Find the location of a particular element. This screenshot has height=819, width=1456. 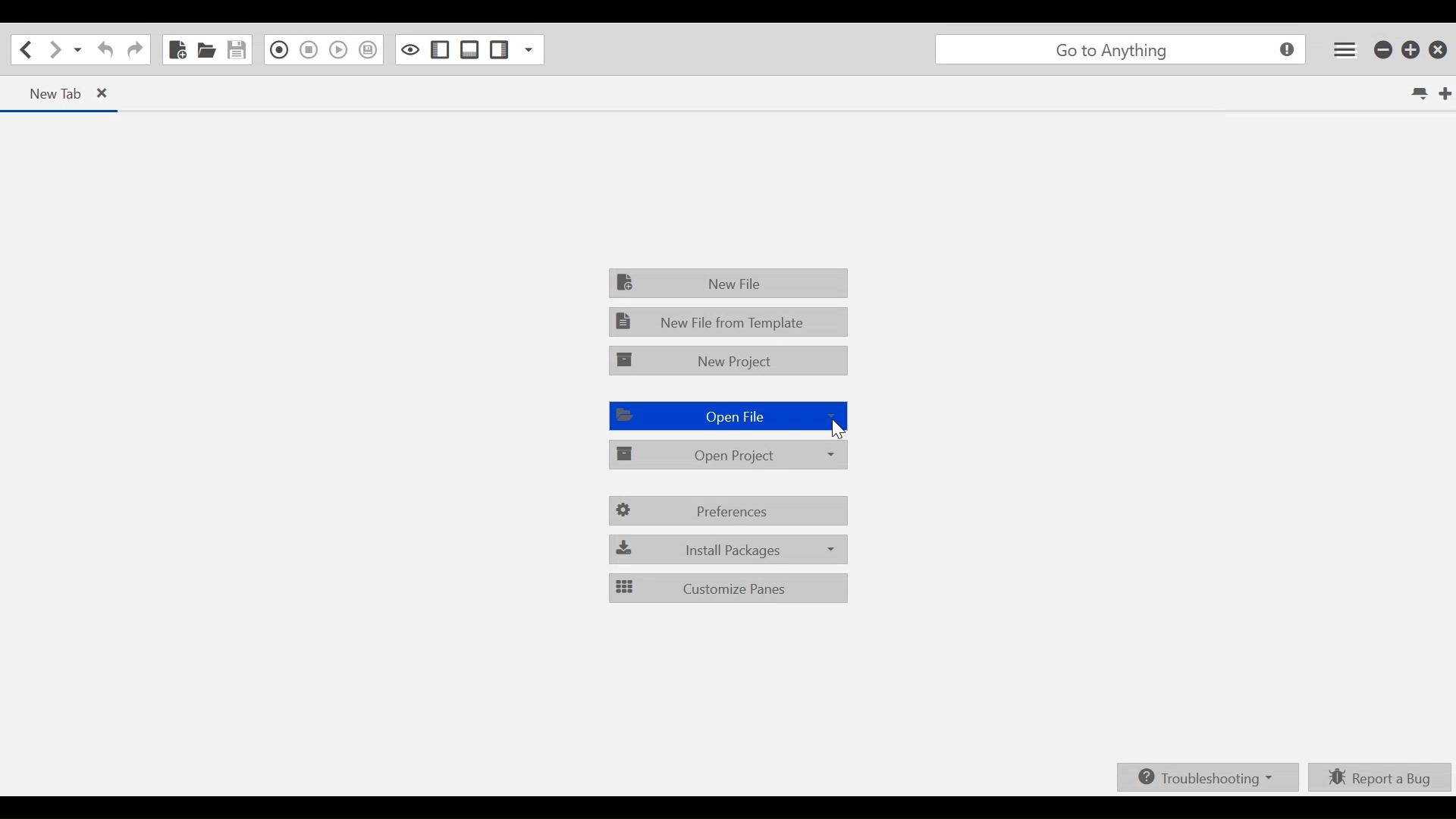

Troubleshooting is located at coordinates (1209, 777).